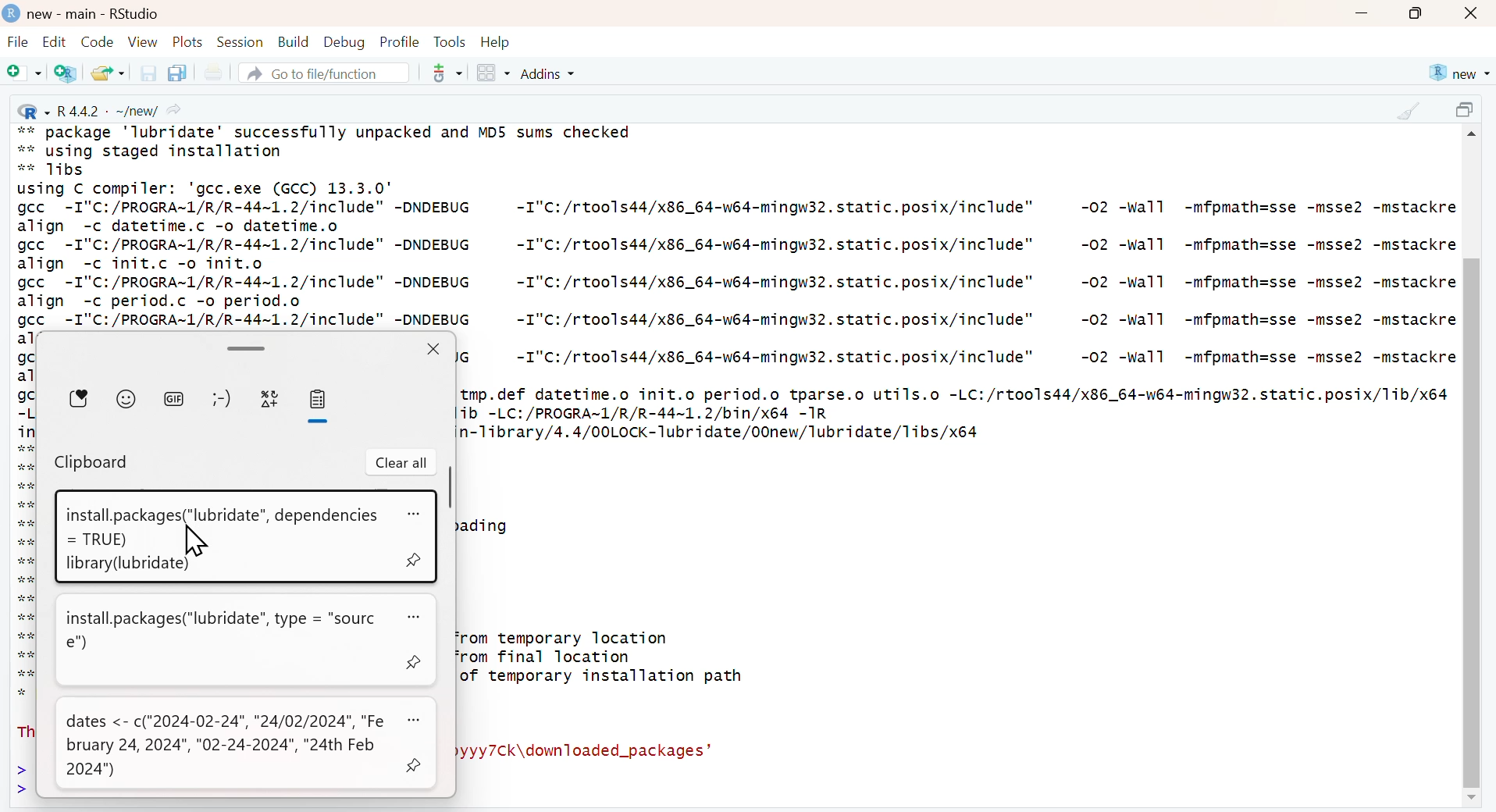  Describe the element at coordinates (176, 72) in the screenshot. I see `save all the open documents` at that location.